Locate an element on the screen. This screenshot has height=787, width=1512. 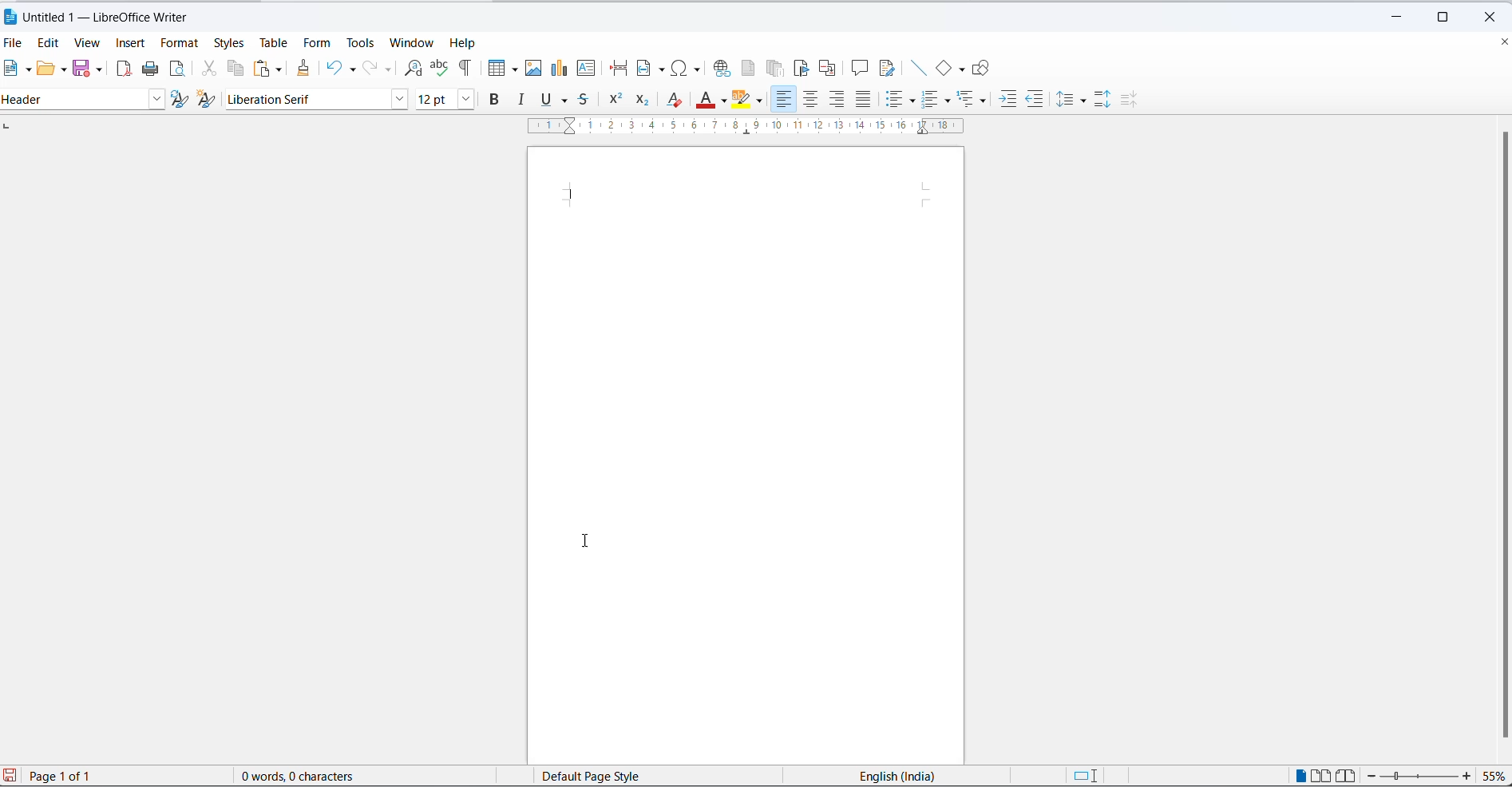
insert text is located at coordinates (594, 69).